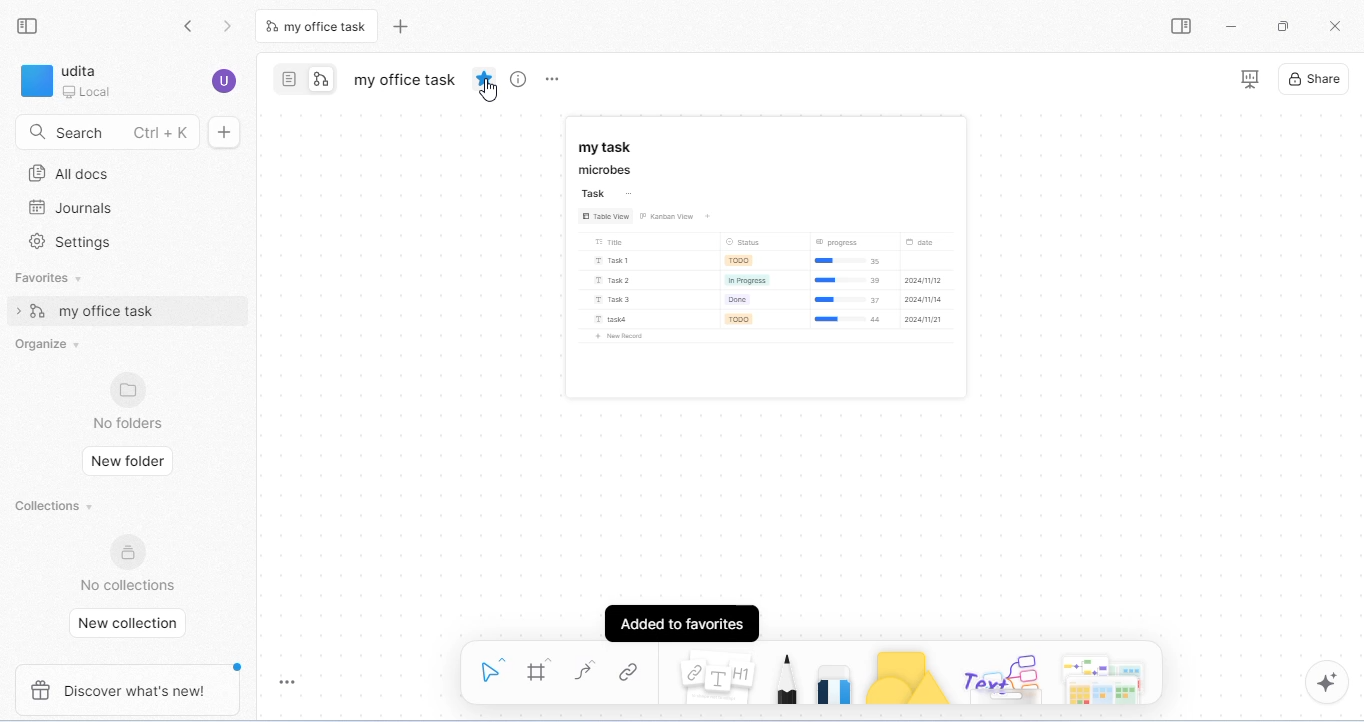 The height and width of the screenshot is (722, 1364). Describe the element at coordinates (292, 681) in the screenshot. I see `toggle zoom` at that location.